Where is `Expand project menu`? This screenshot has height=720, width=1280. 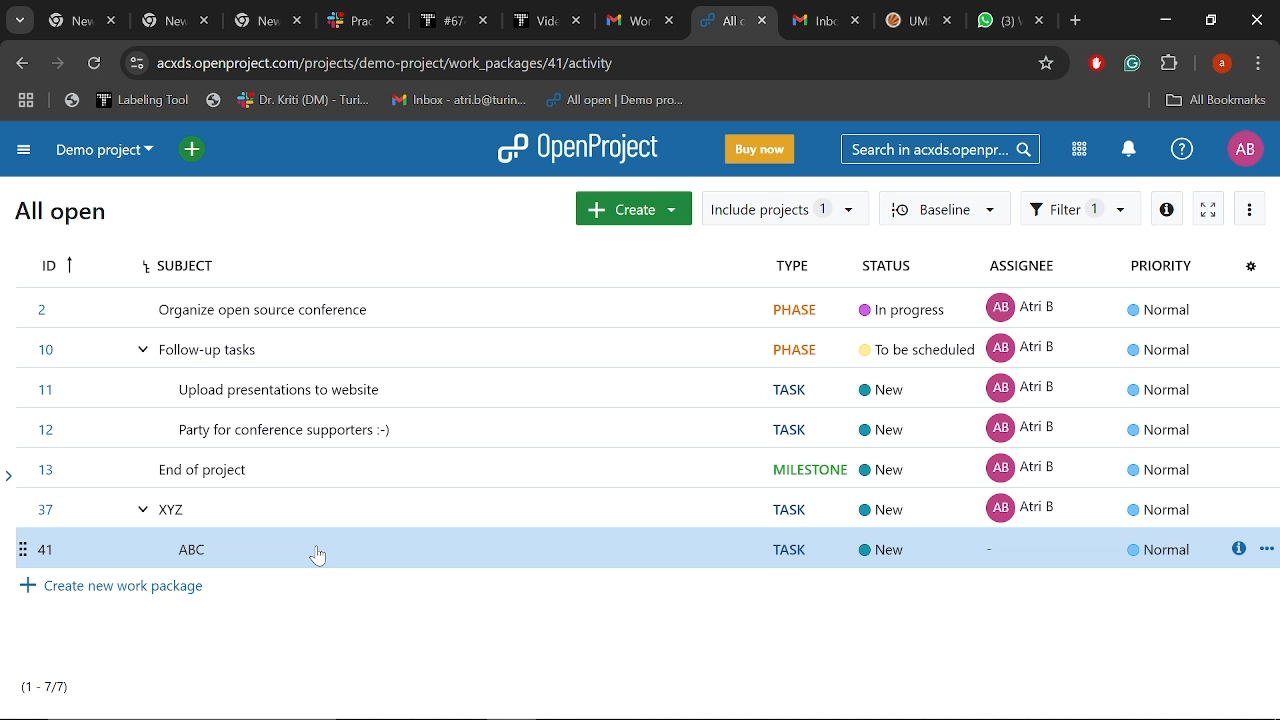 Expand project menu is located at coordinates (25, 150).